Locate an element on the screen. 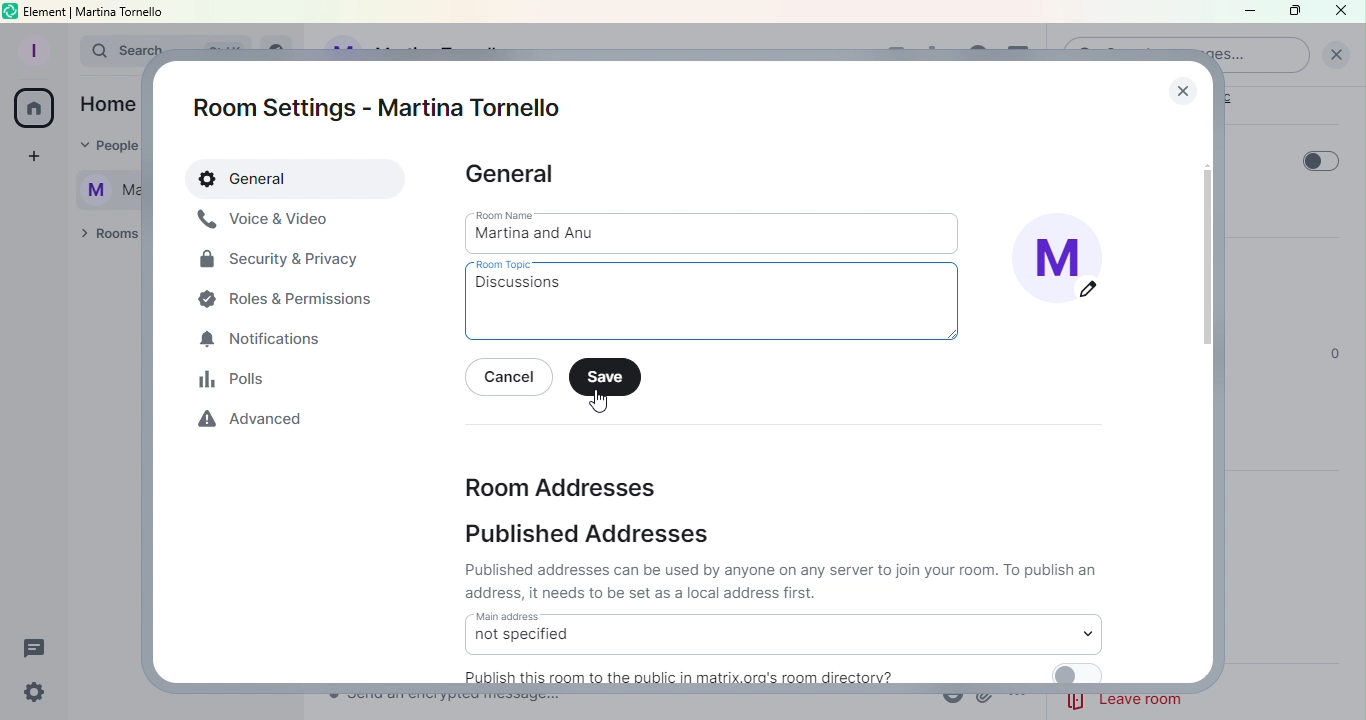  Display image is located at coordinates (1067, 264).